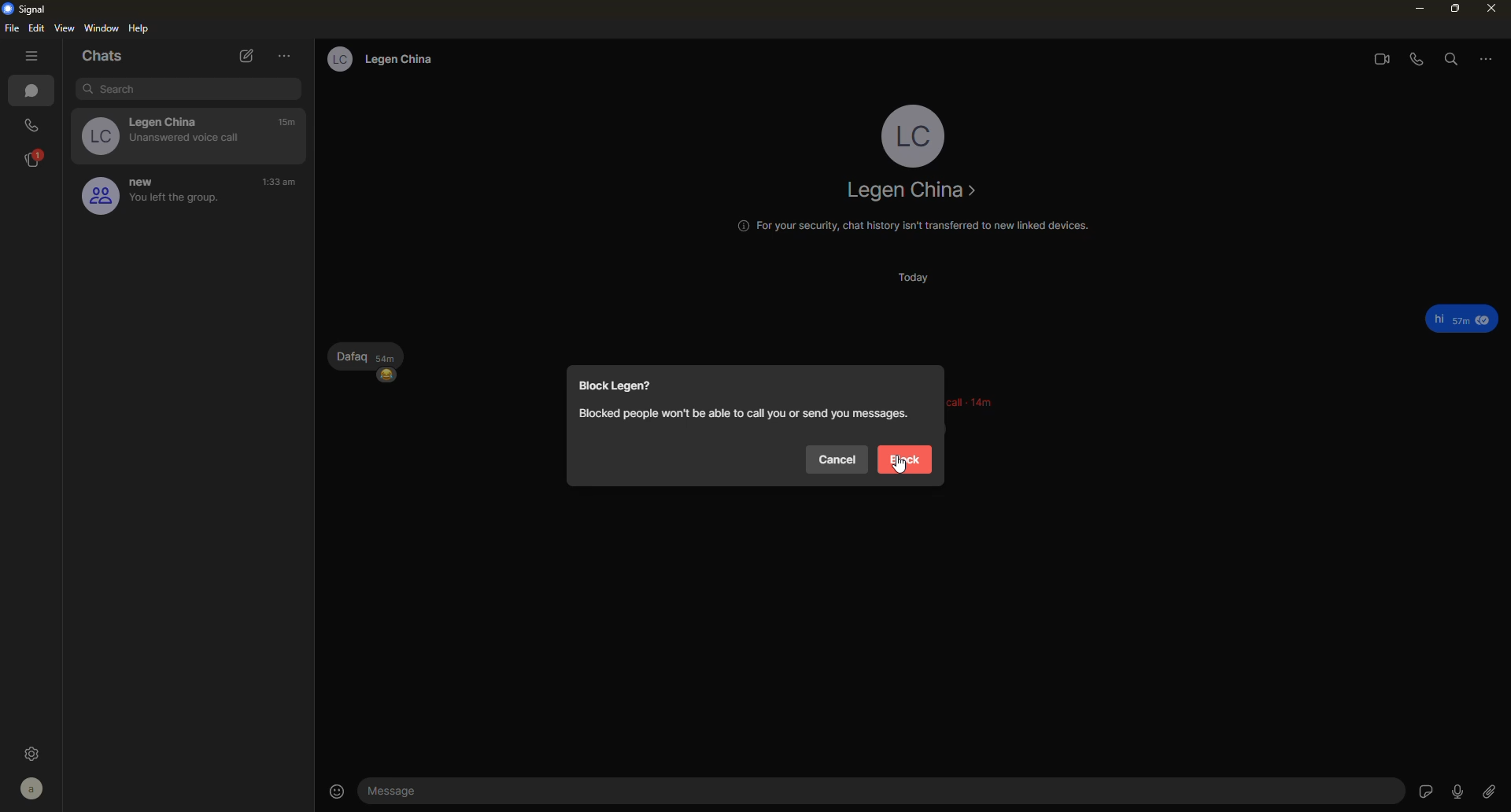 The image size is (1511, 812). What do you see at coordinates (1450, 59) in the screenshot?
I see `search` at bounding box center [1450, 59].